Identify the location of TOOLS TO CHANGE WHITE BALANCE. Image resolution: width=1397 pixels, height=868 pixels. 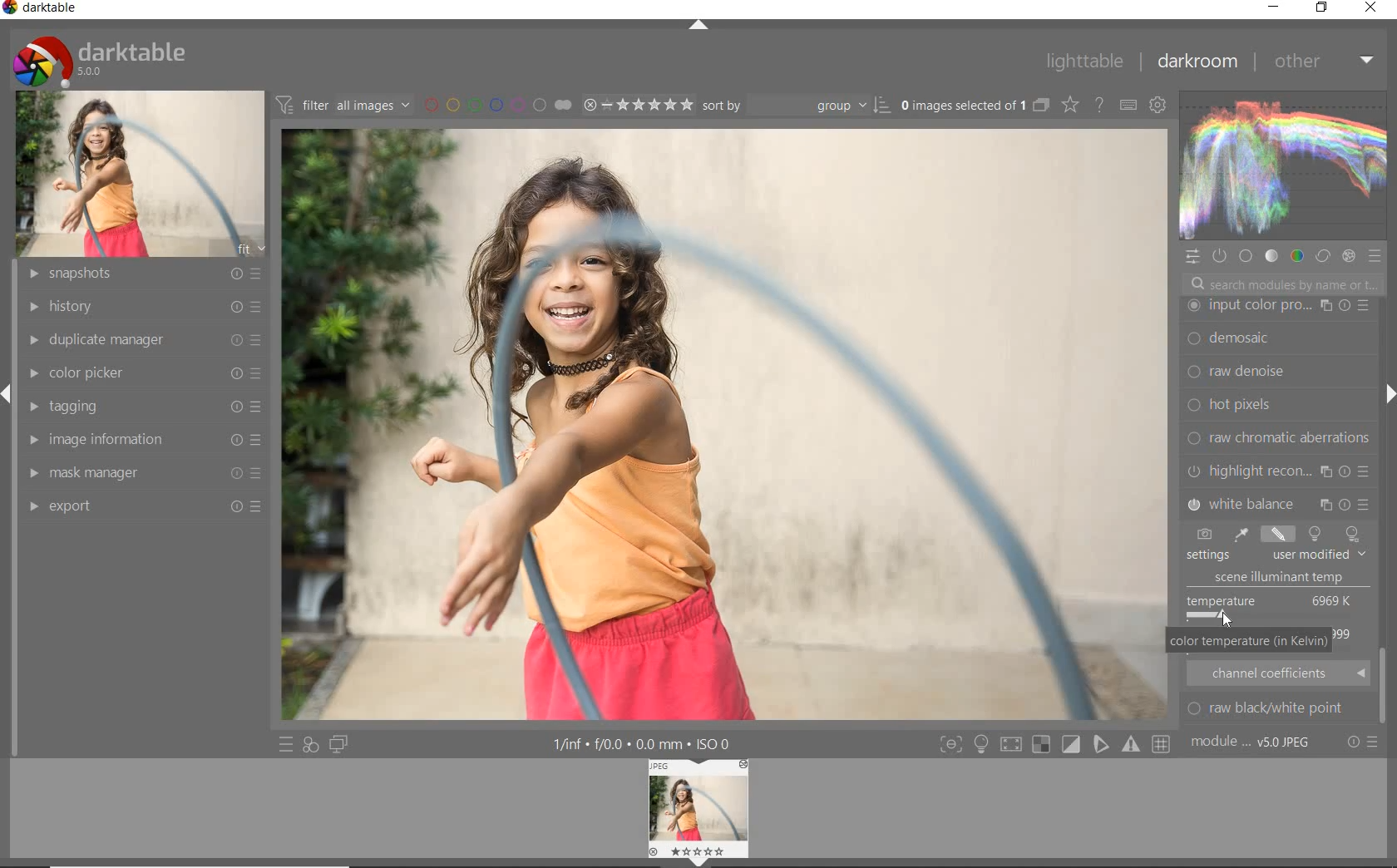
(1275, 534).